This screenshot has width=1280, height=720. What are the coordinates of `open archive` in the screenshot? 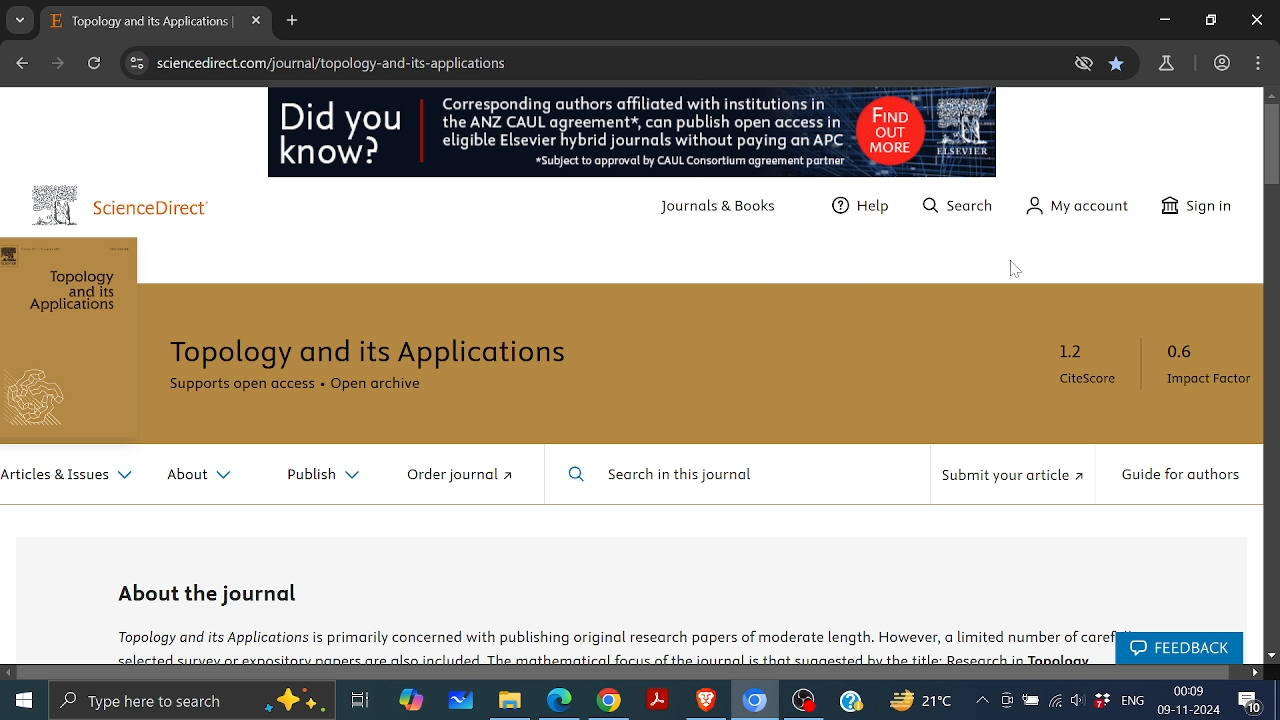 It's located at (393, 388).